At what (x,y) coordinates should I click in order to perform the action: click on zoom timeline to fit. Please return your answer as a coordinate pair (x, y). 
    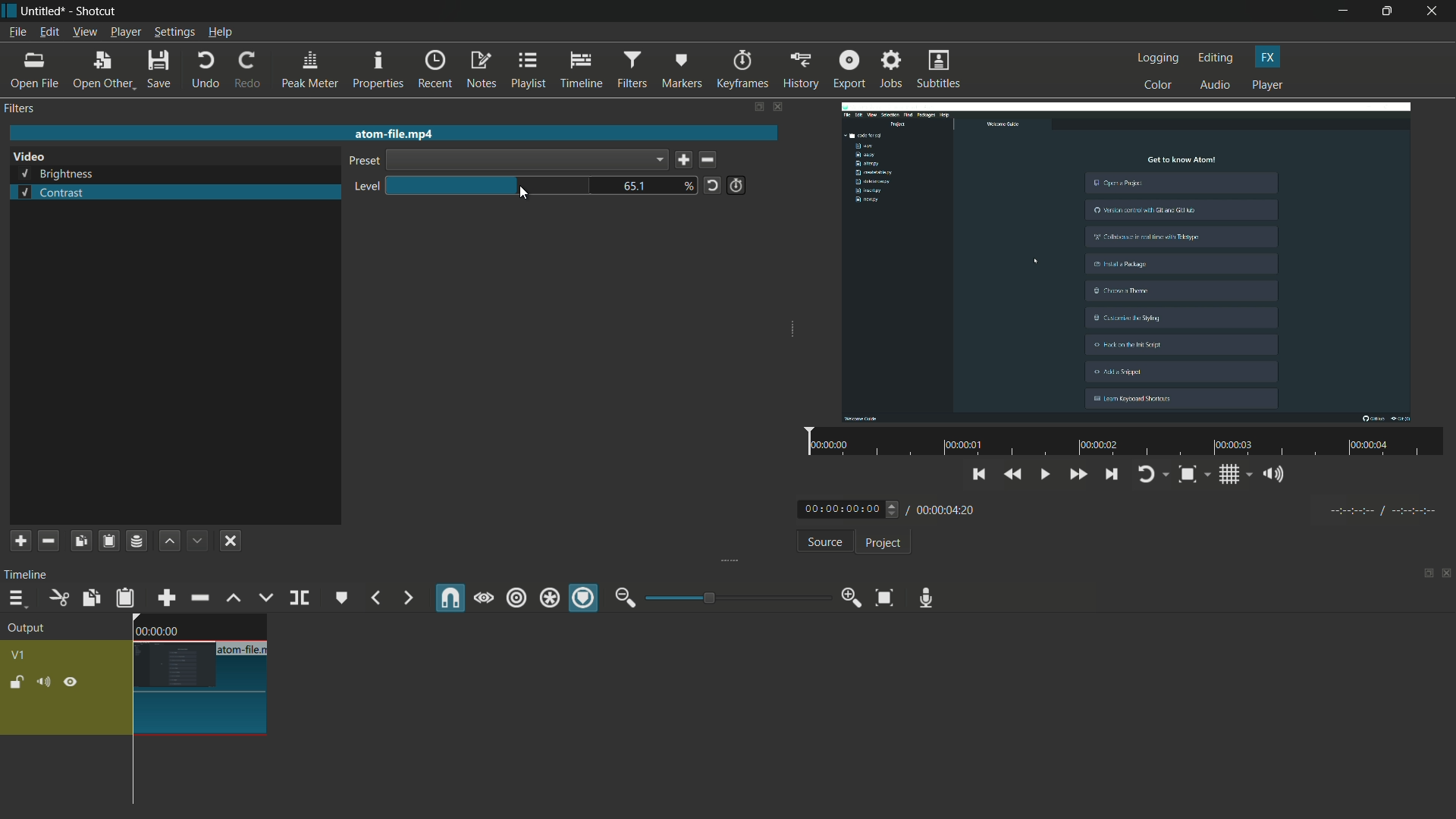
    Looking at the image, I should click on (884, 597).